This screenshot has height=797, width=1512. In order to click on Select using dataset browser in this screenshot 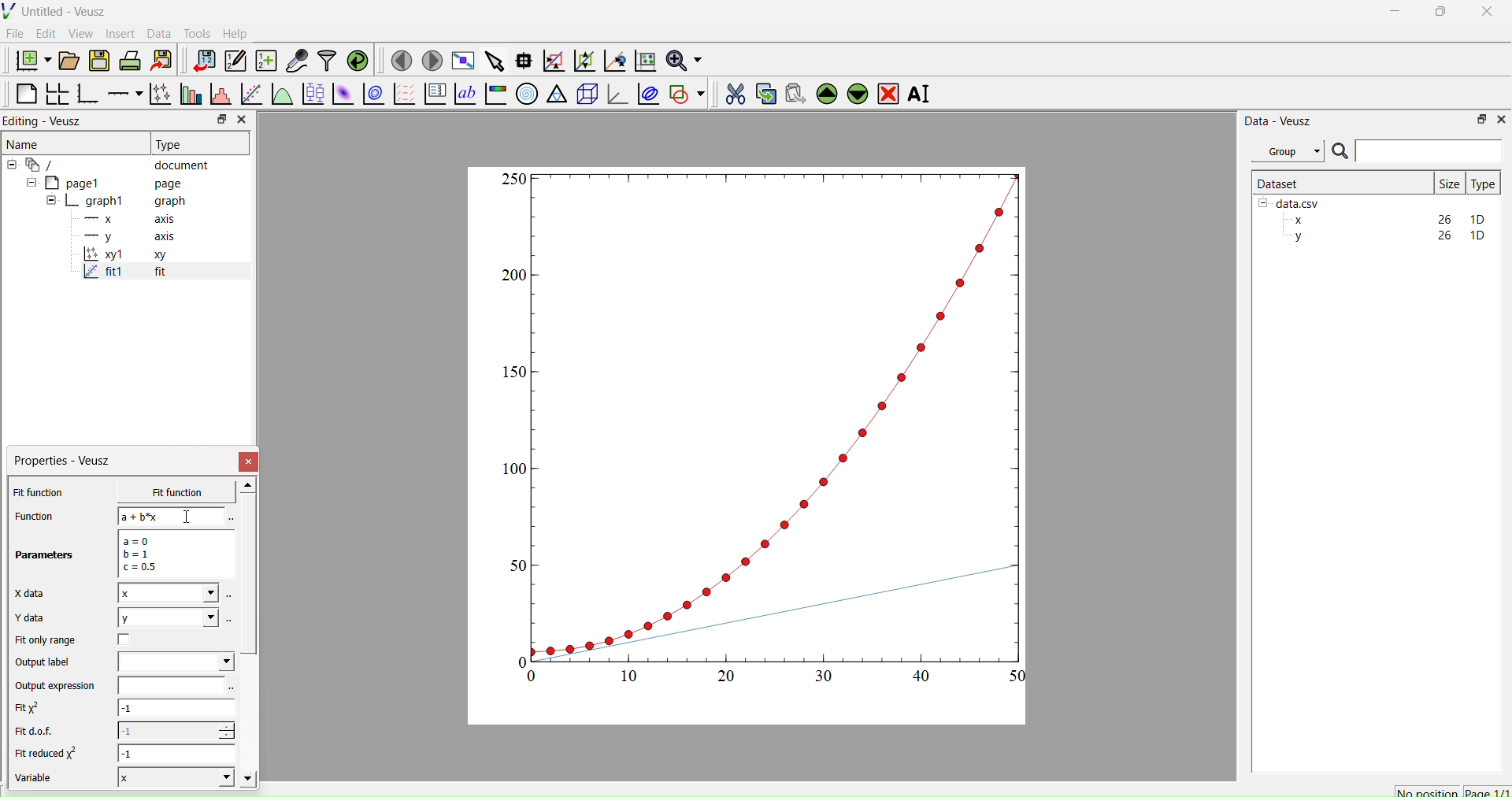, I will do `click(230, 619)`.